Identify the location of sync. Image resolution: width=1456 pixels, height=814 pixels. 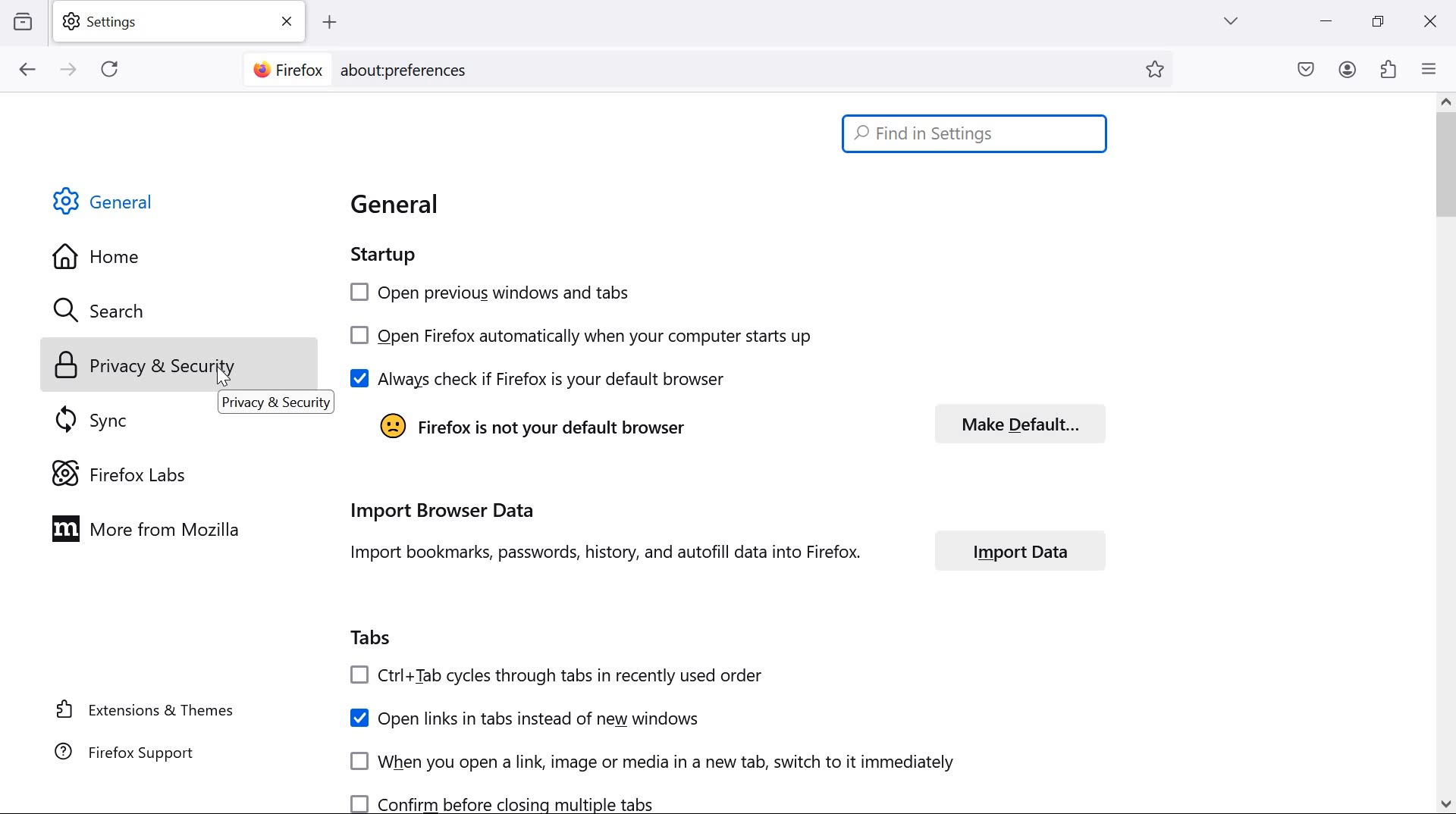
(99, 419).